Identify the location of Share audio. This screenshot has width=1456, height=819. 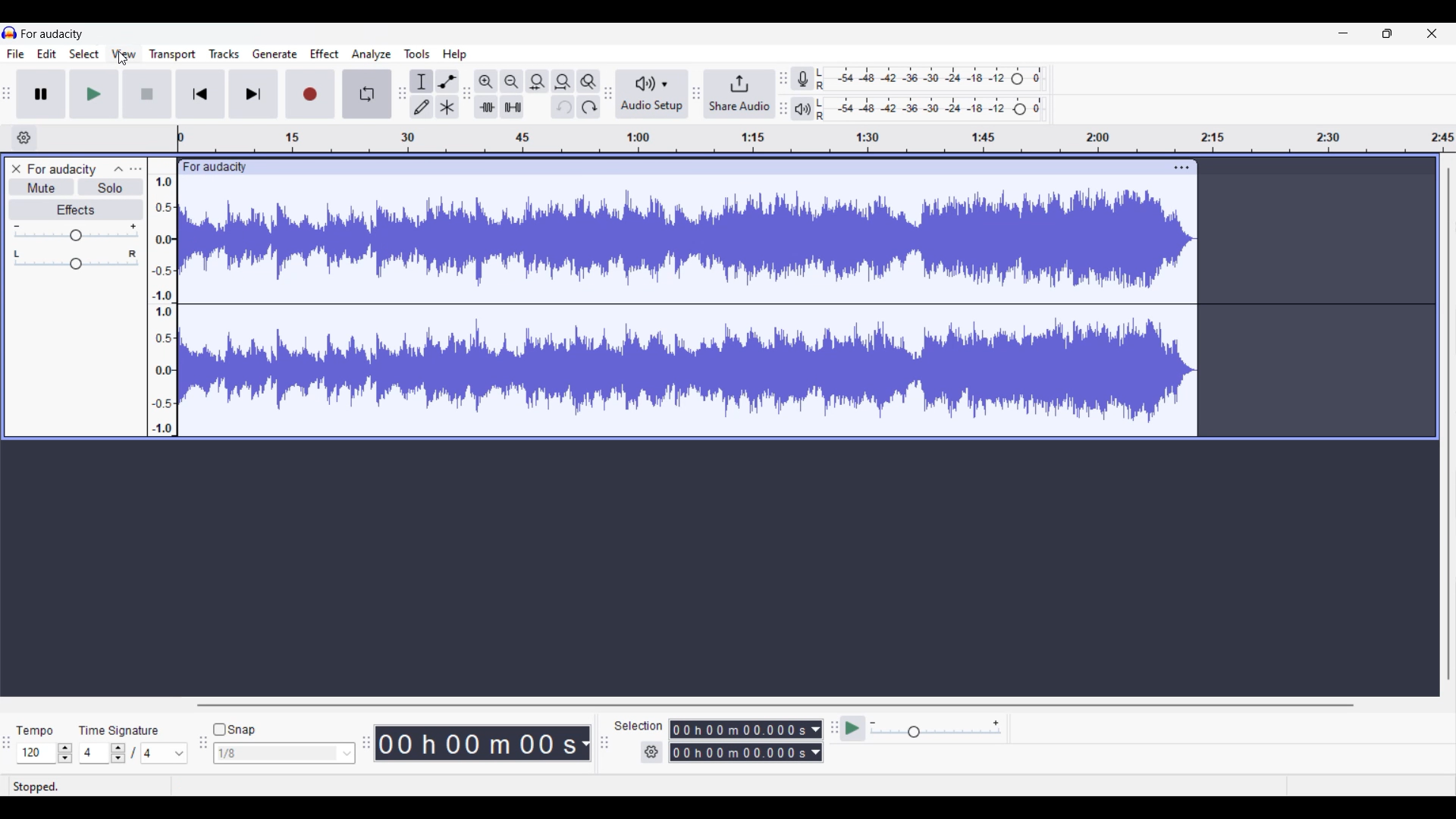
(740, 94).